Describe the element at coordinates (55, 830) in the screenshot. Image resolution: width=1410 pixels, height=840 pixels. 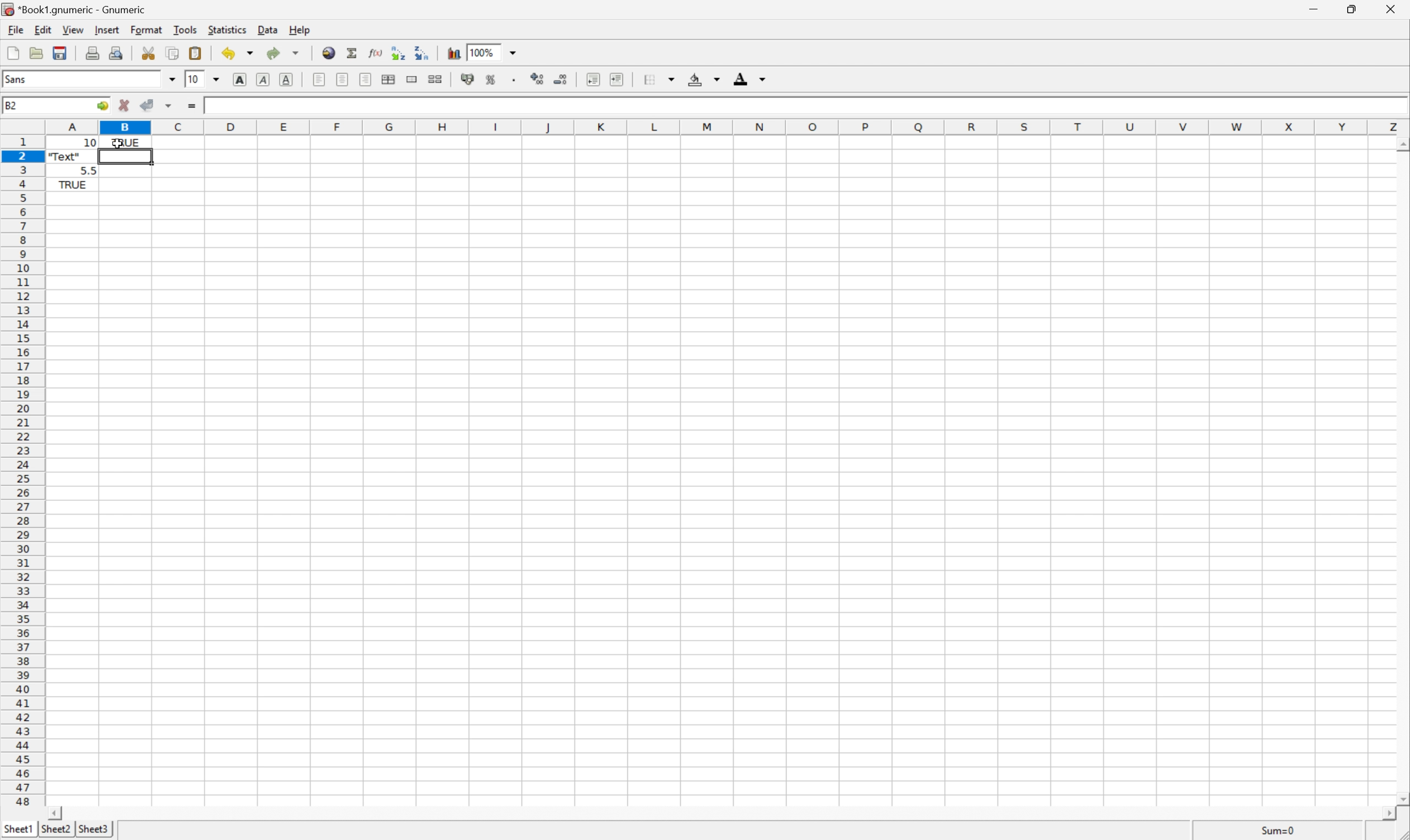
I see `Sheet2` at that location.